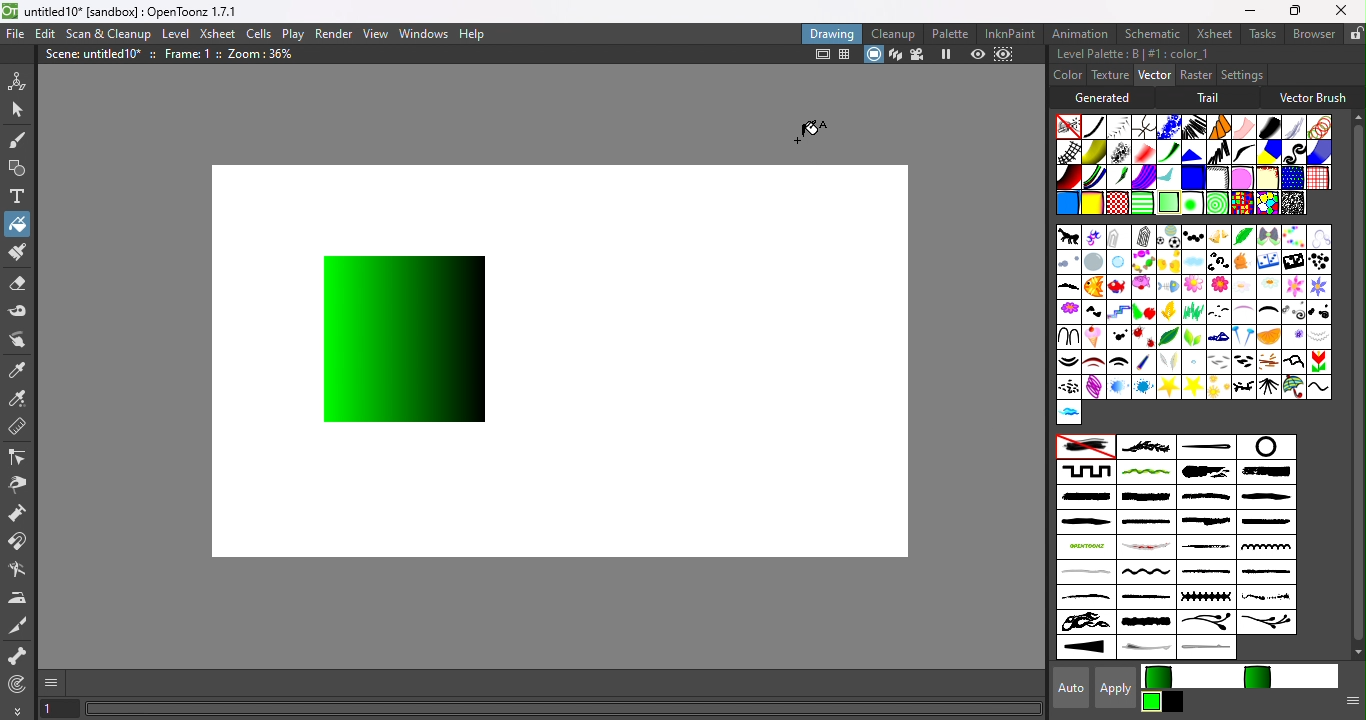 The height and width of the screenshot is (720, 1366). Describe the element at coordinates (1147, 623) in the screenshot. I see `strange` at that location.